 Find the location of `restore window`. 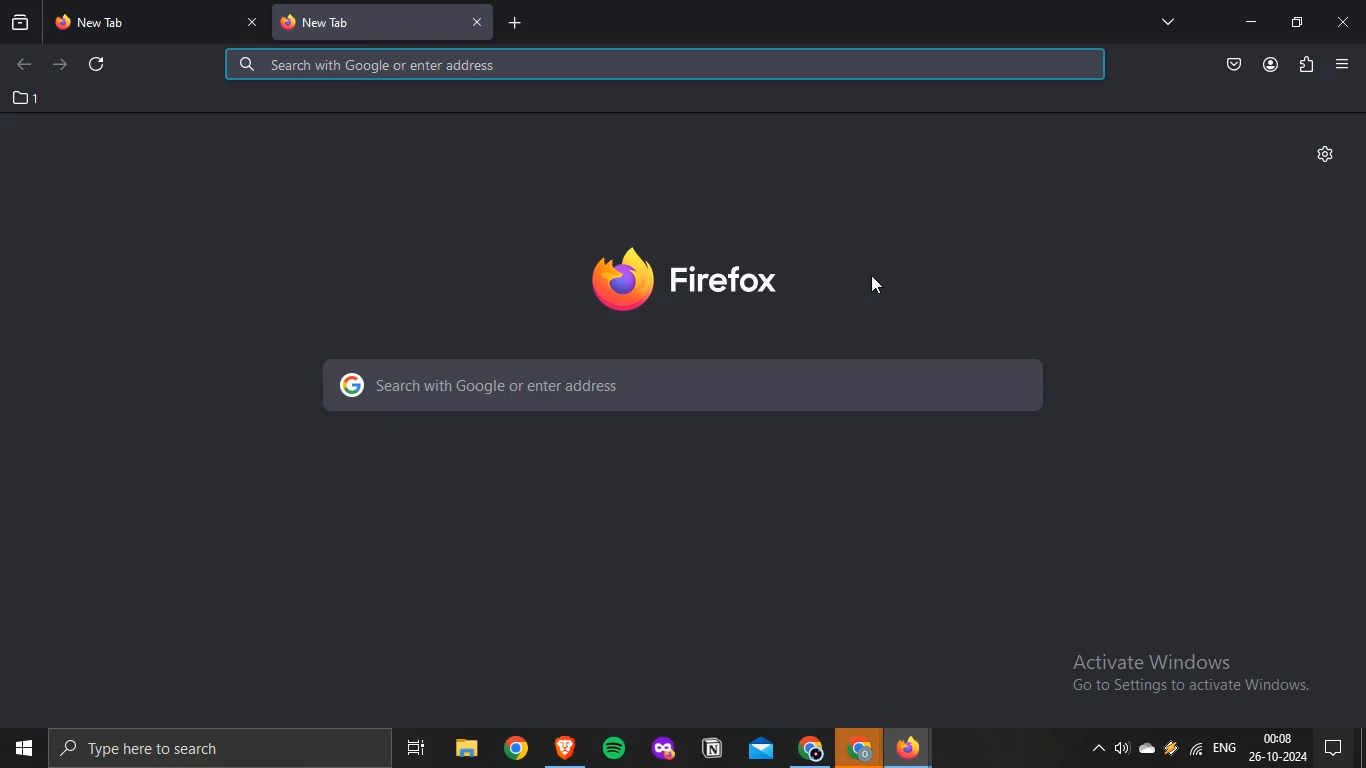

restore window is located at coordinates (1298, 23).